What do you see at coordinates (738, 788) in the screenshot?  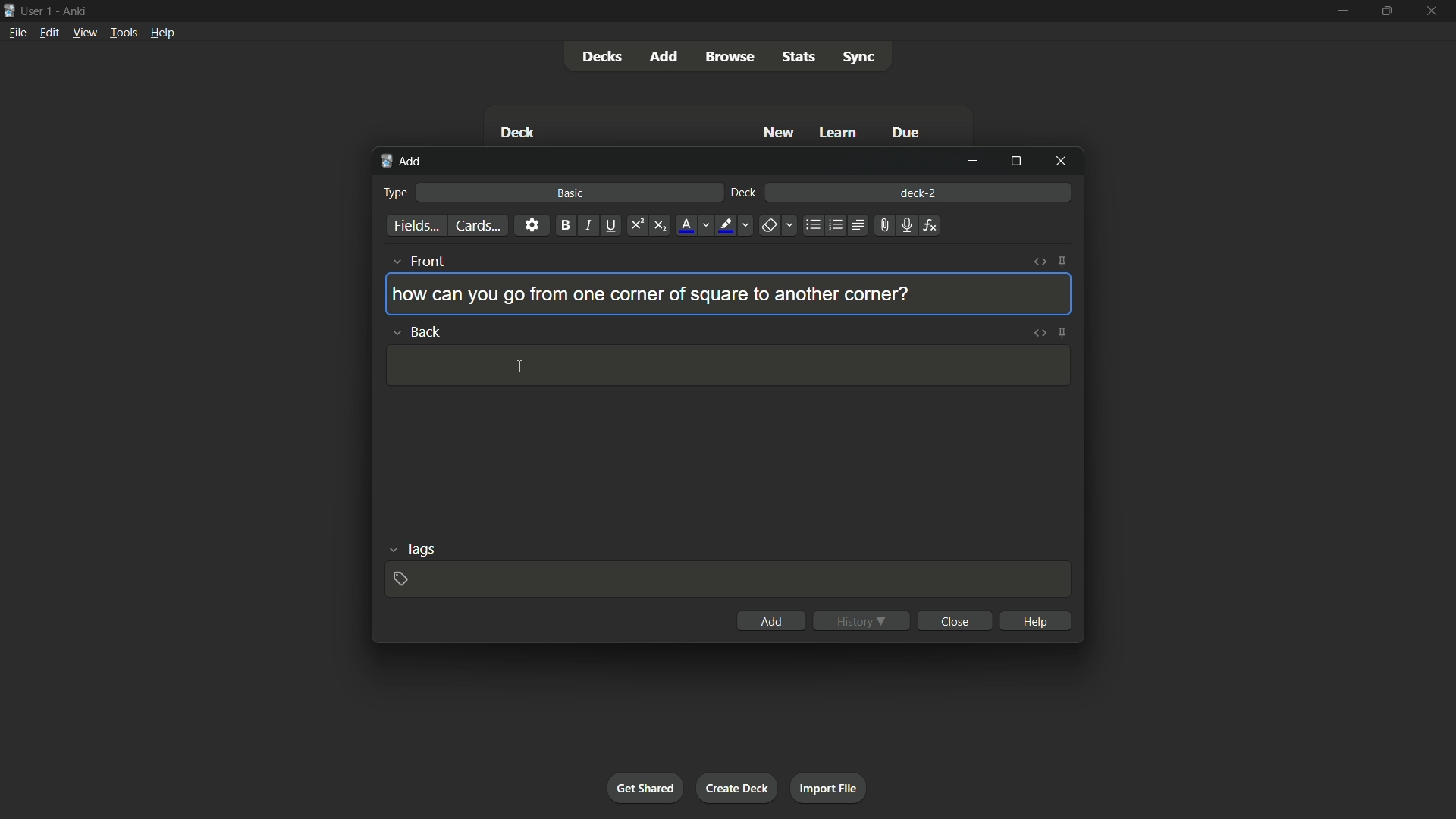 I see `create  deck` at bounding box center [738, 788].